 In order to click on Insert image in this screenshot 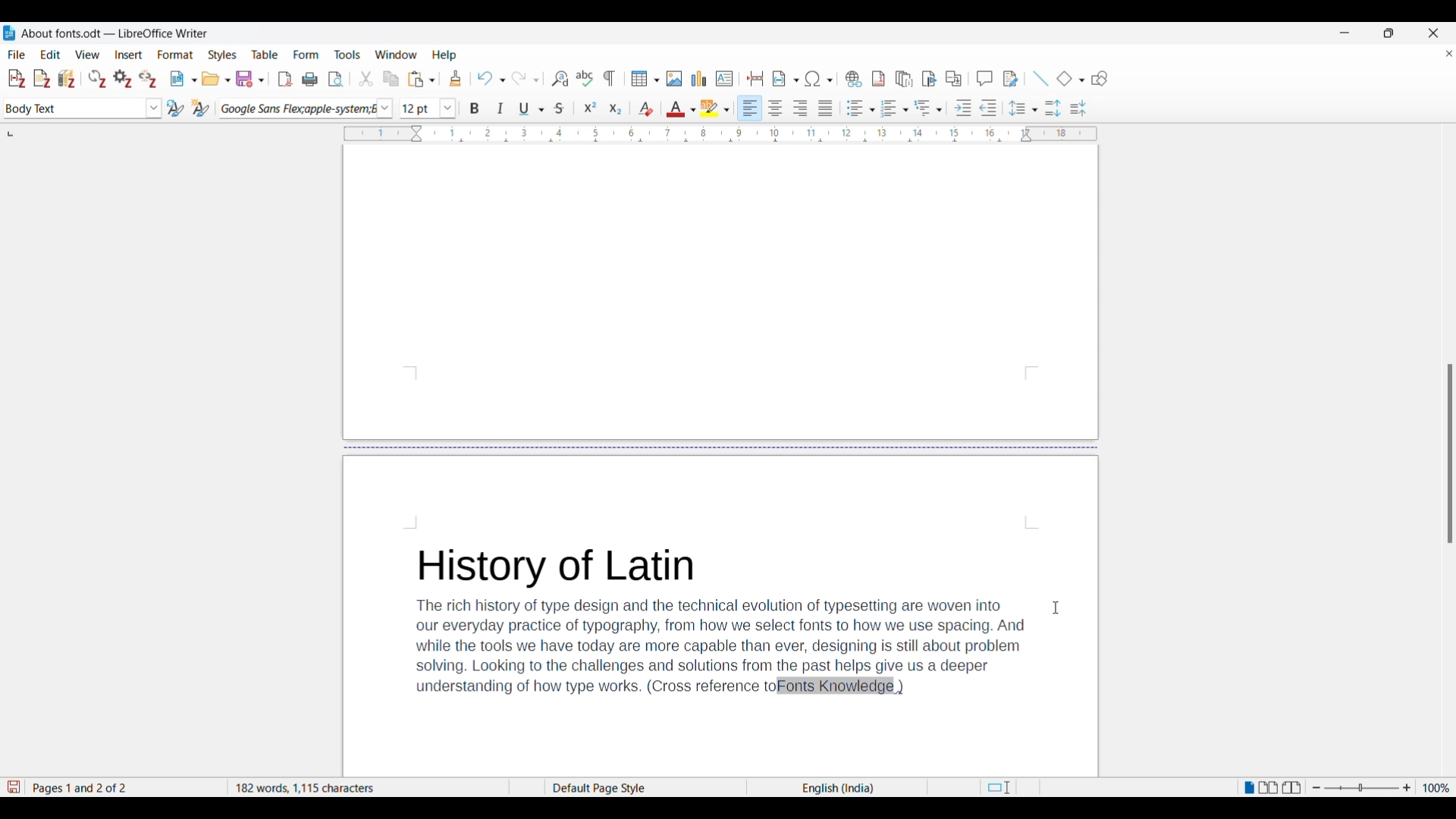, I will do `click(674, 79)`.